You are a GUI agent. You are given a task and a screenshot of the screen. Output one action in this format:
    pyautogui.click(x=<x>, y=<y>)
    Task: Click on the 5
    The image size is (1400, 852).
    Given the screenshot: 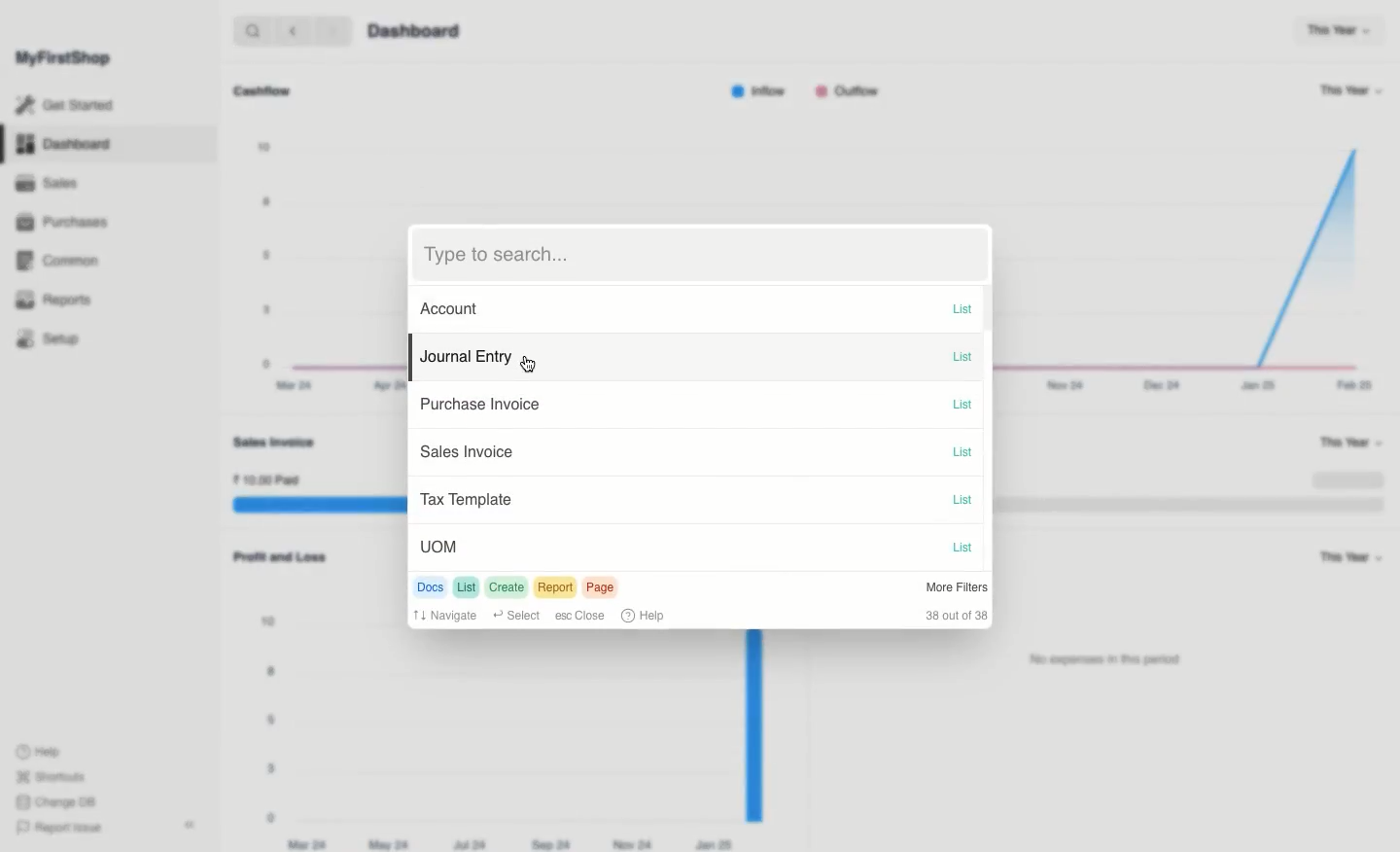 What is the action you would take?
    pyautogui.click(x=265, y=253)
    